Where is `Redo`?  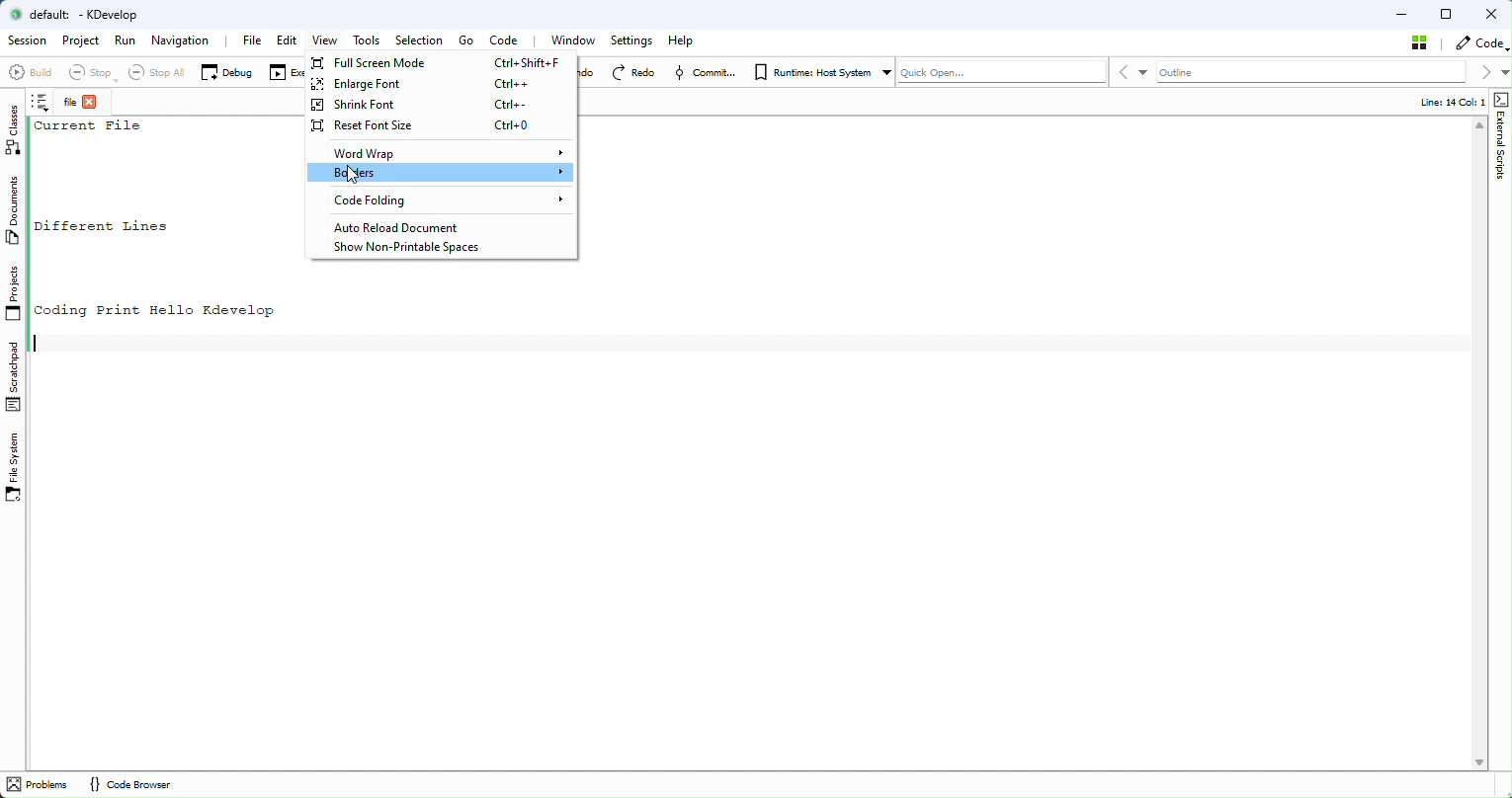 Redo is located at coordinates (636, 72).